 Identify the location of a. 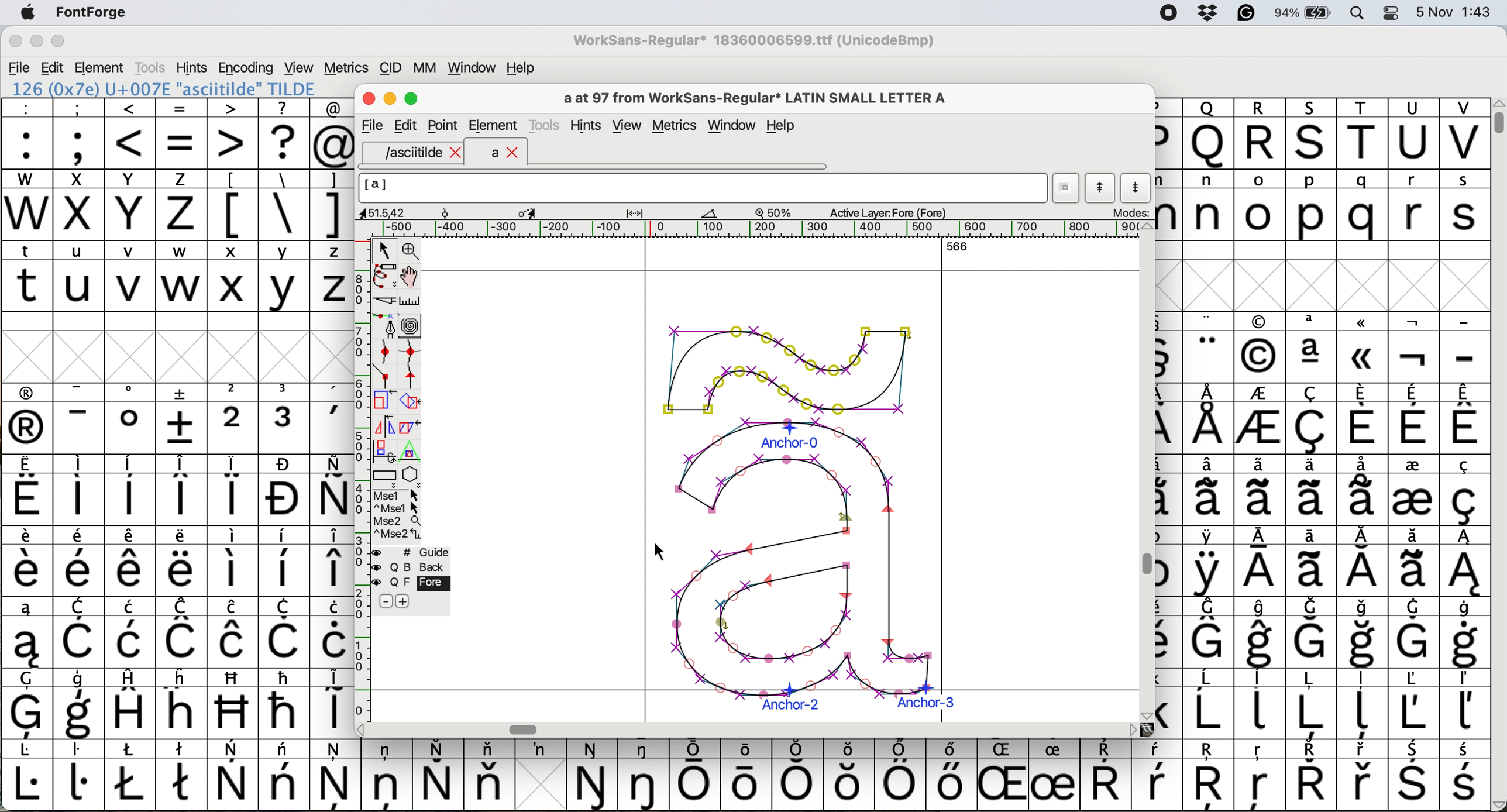
(505, 153).